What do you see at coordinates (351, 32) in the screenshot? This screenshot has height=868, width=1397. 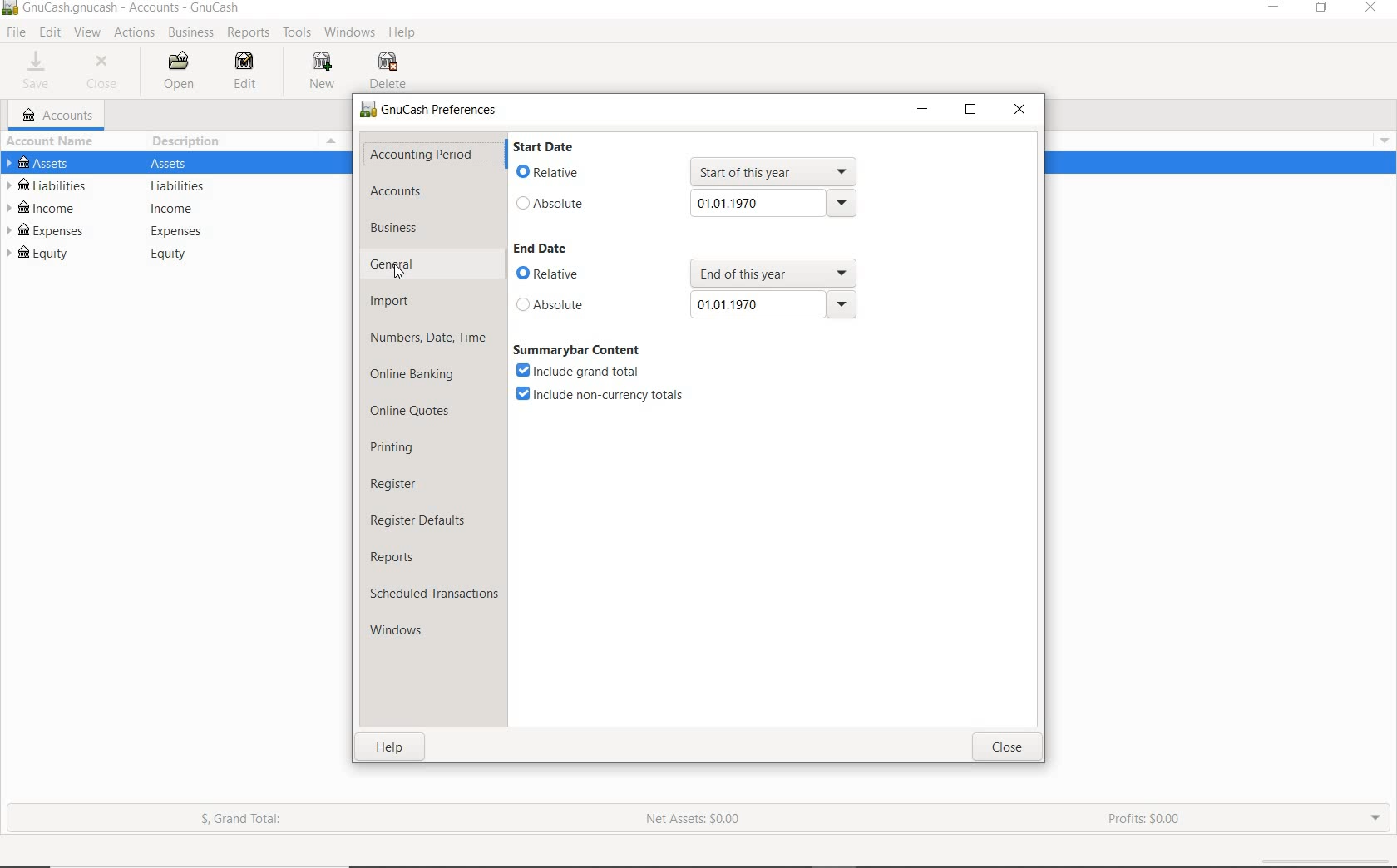 I see `WINDOWS` at bounding box center [351, 32].